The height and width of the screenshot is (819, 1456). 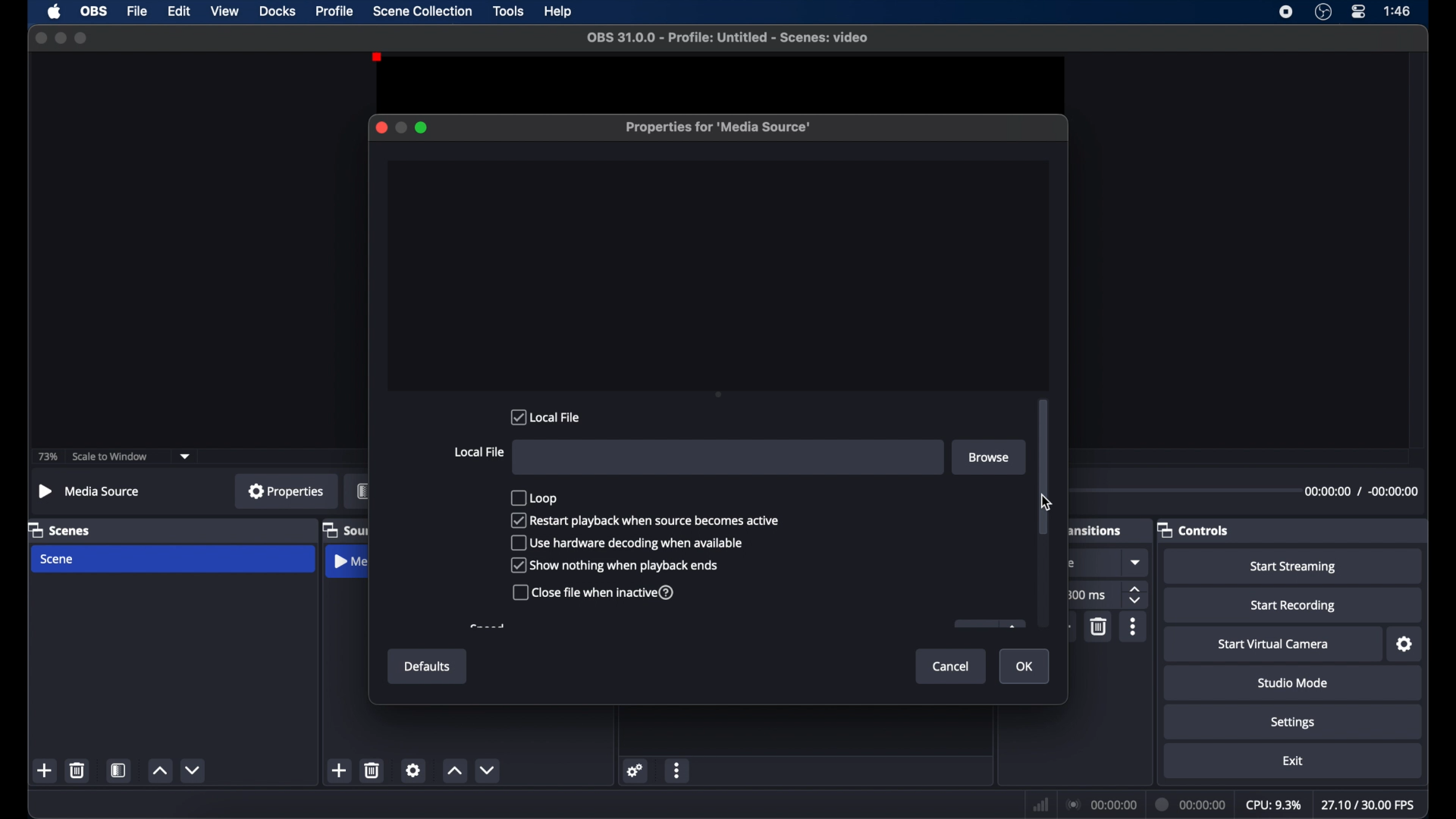 What do you see at coordinates (95, 11) in the screenshot?
I see `obs` at bounding box center [95, 11].